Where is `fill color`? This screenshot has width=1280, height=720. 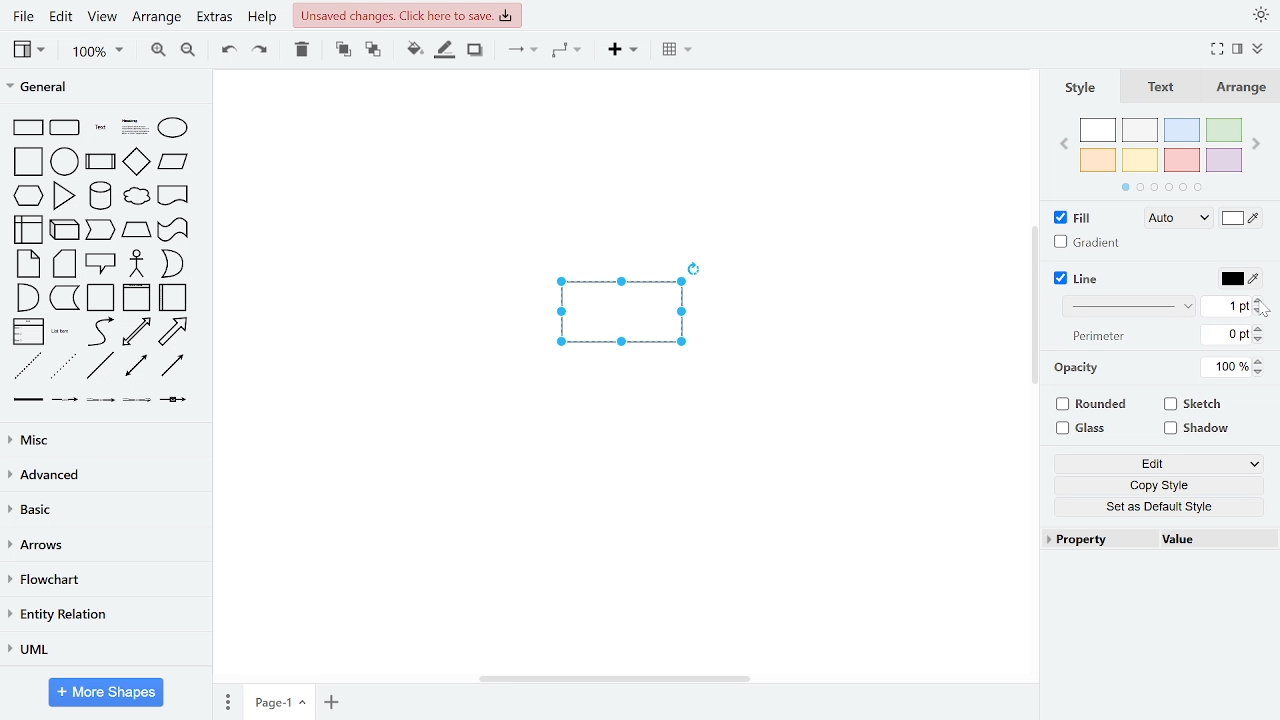
fill color is located at coordinates (412, 51).